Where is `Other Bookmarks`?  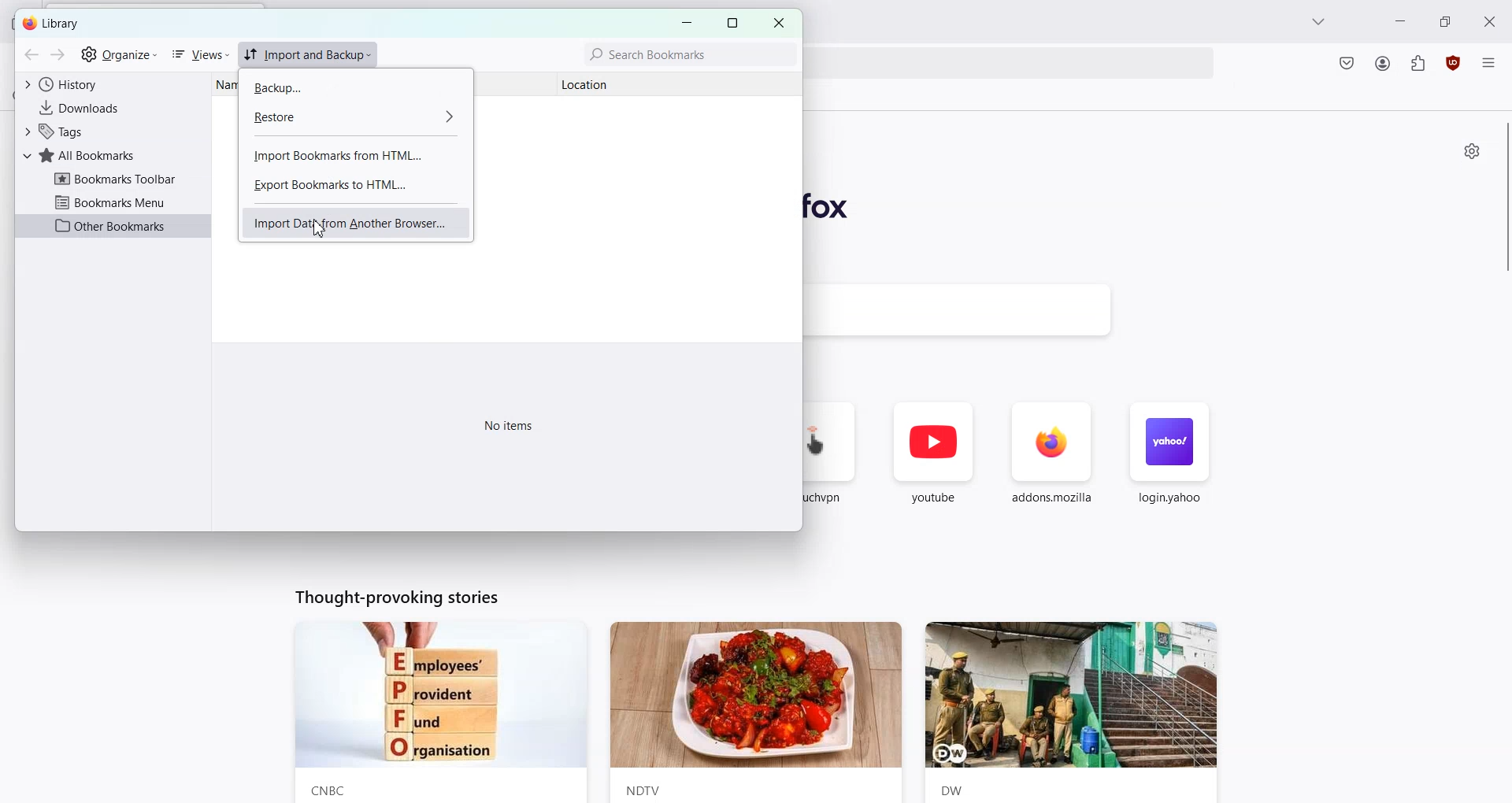
Other Bookmarks is located at coordinates (116, 226).